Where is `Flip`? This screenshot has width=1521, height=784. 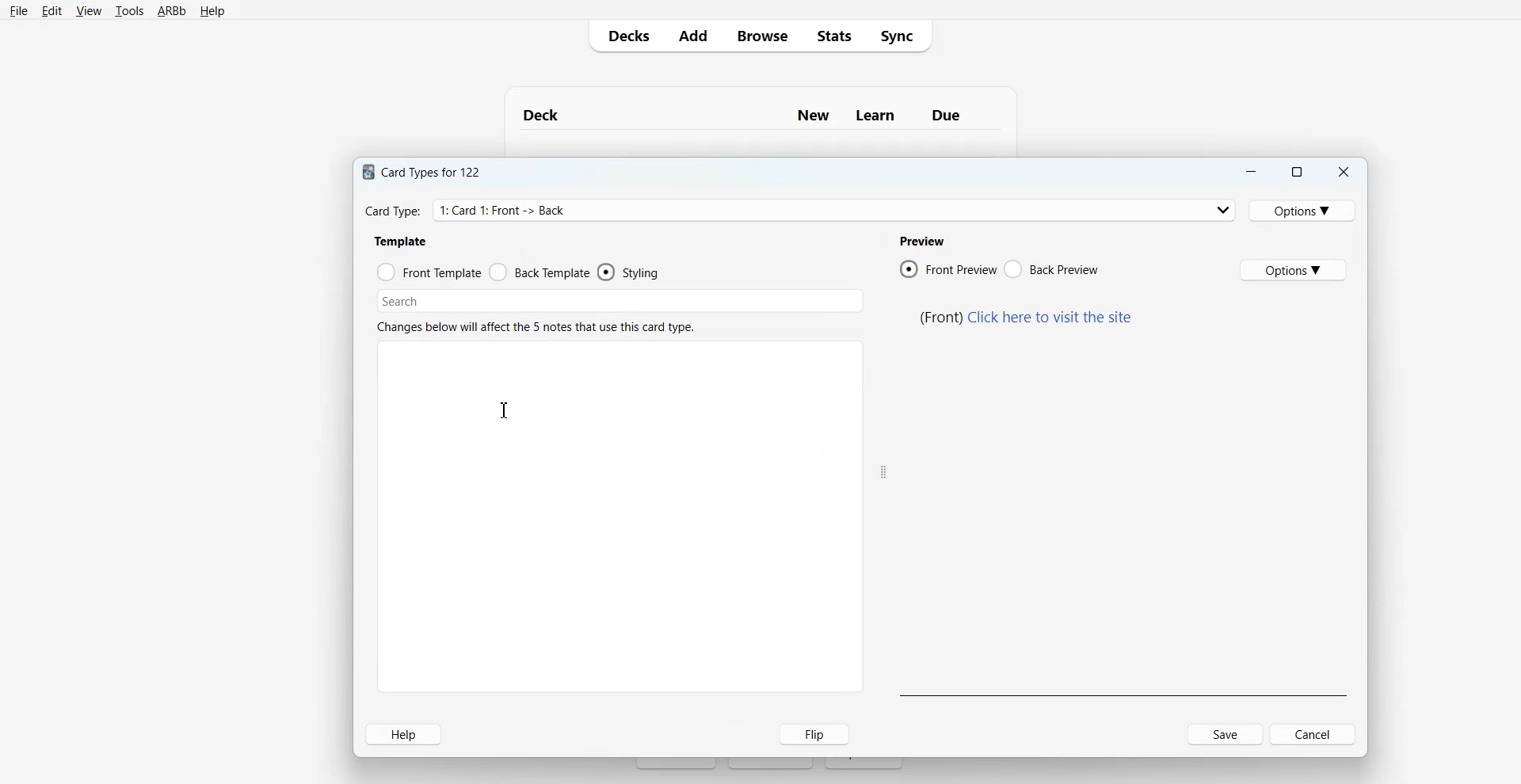
Flip is located at coordinates (808, 734).